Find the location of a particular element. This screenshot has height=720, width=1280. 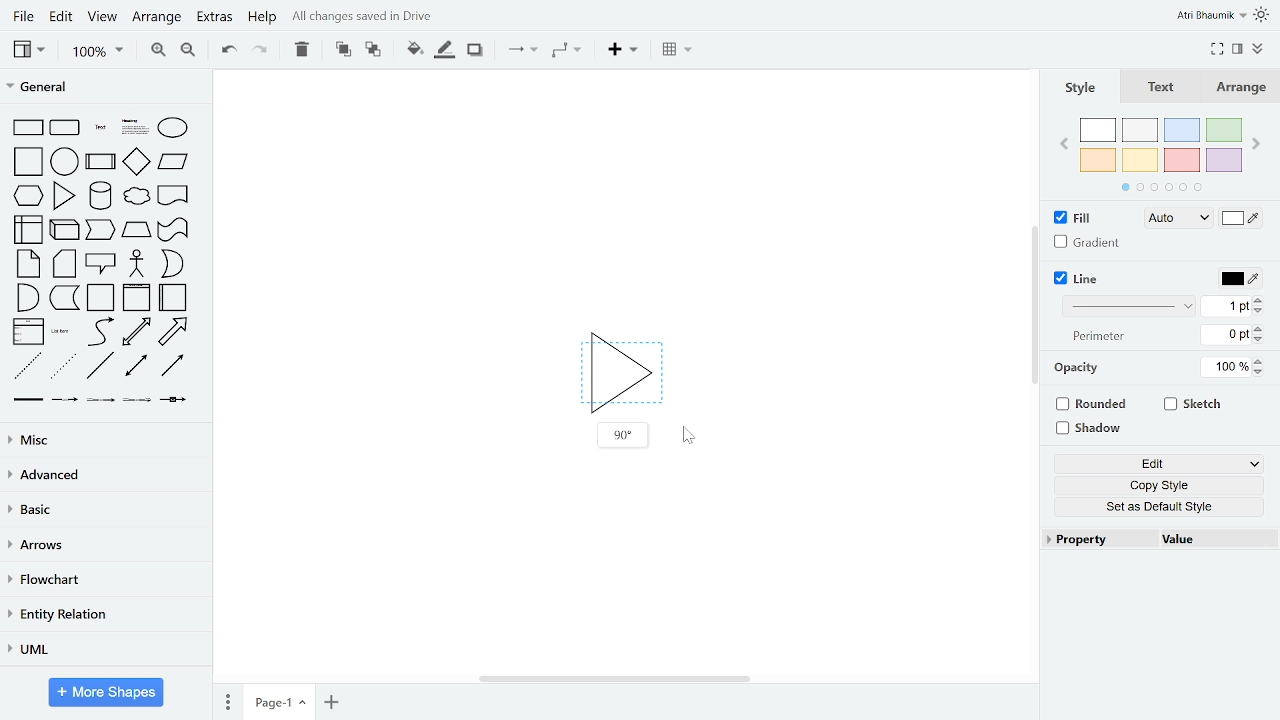

arrows is located at coordinates (103, 546).